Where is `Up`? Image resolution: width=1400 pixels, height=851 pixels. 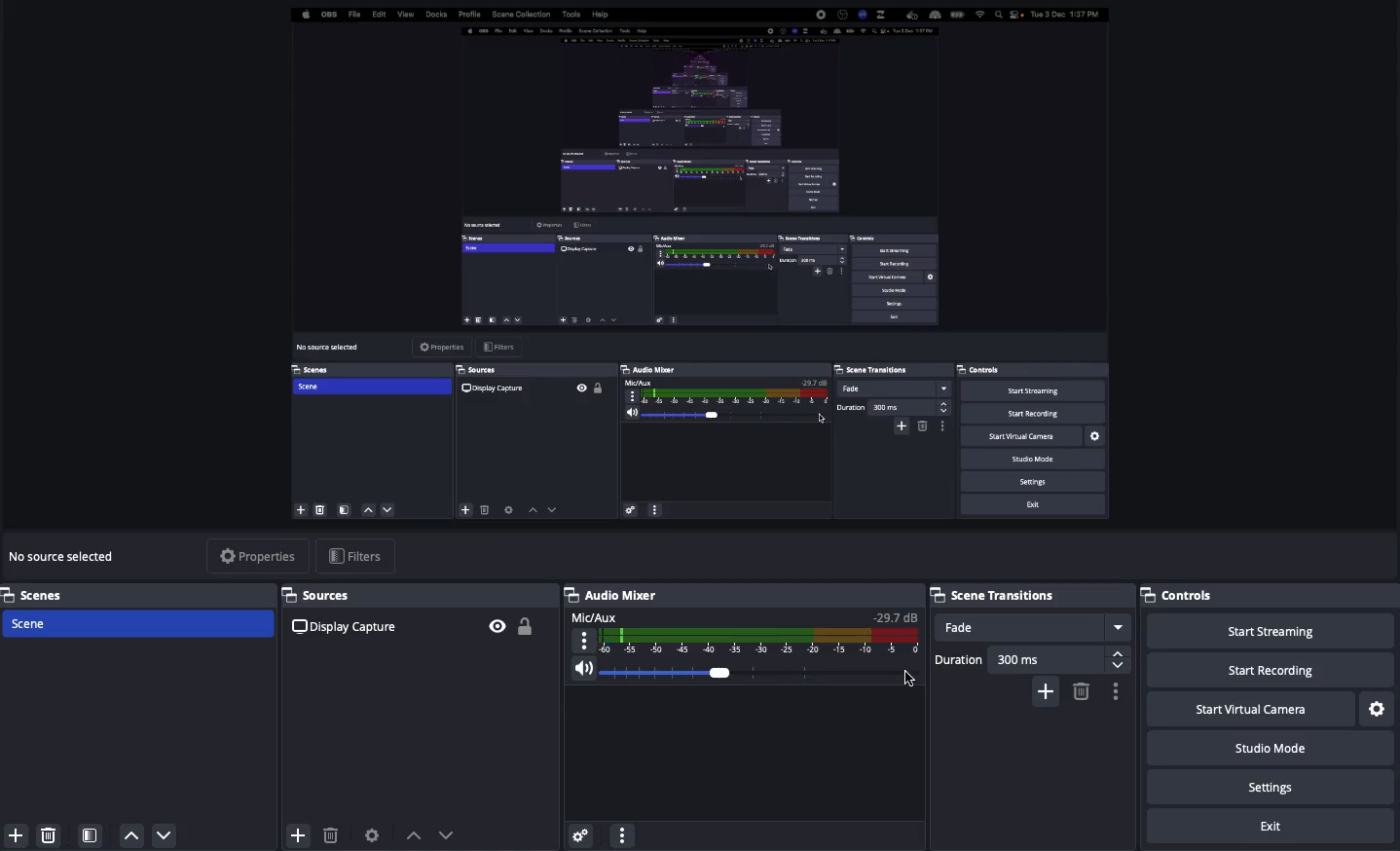 Up is located at coordinates (132, 835).